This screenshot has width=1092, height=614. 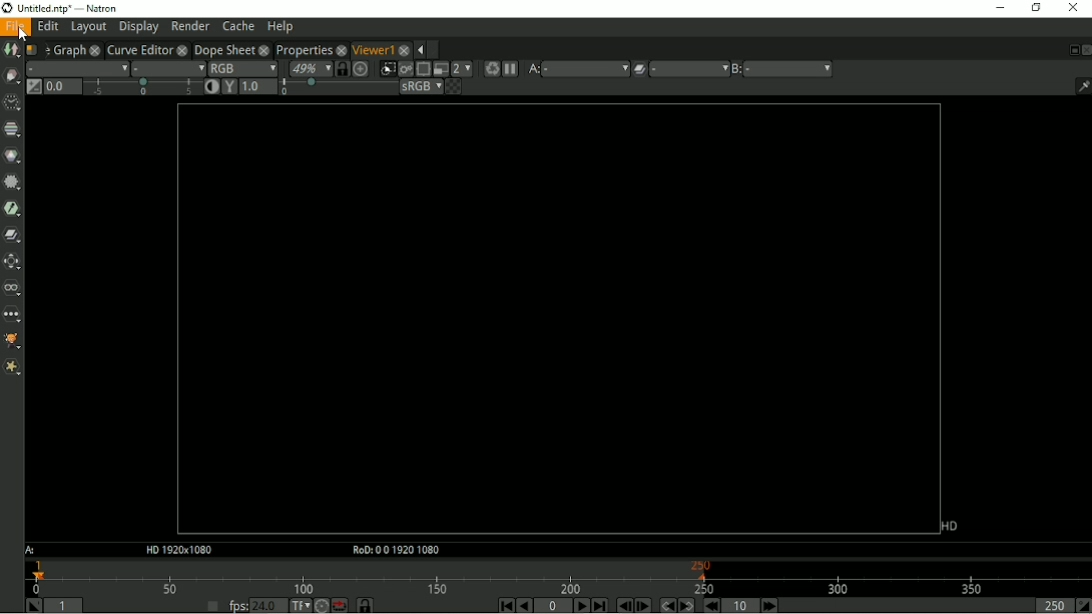 What do you see at coordinates (949, 526) in the screenshot?
I see `HD` at bounding box center [949, 526].